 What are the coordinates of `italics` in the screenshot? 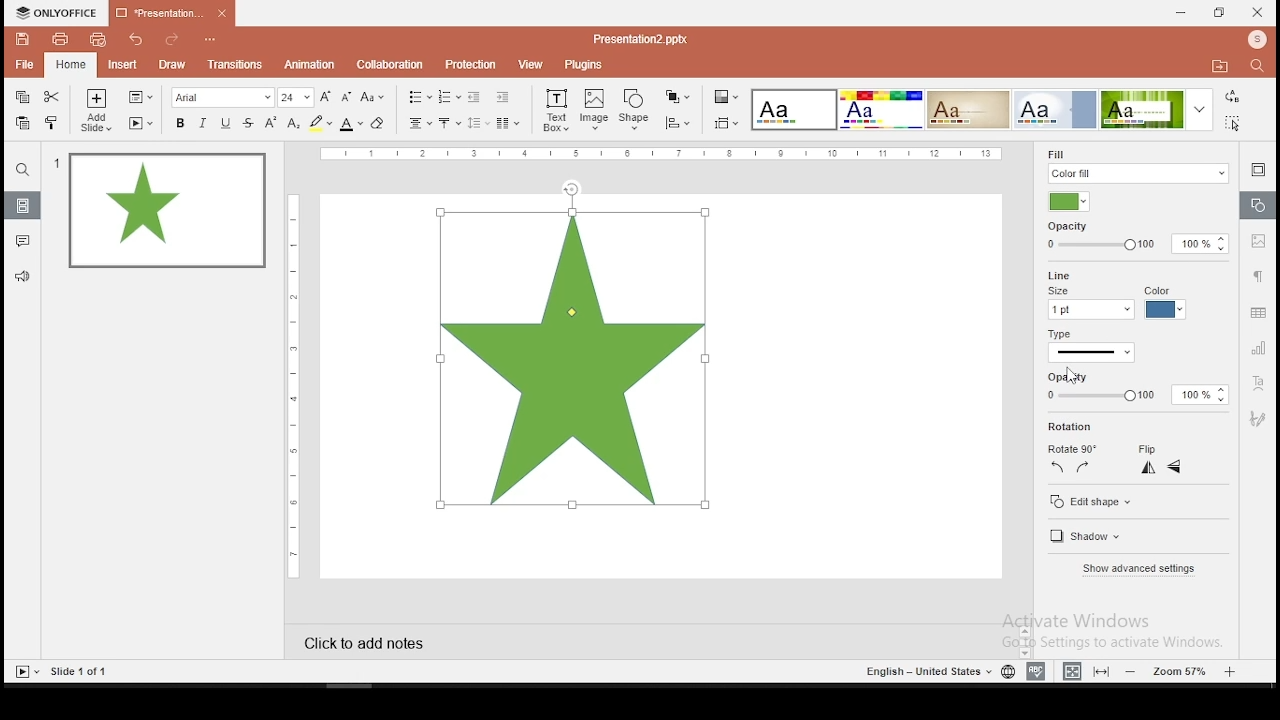 It's located at (202, 123).